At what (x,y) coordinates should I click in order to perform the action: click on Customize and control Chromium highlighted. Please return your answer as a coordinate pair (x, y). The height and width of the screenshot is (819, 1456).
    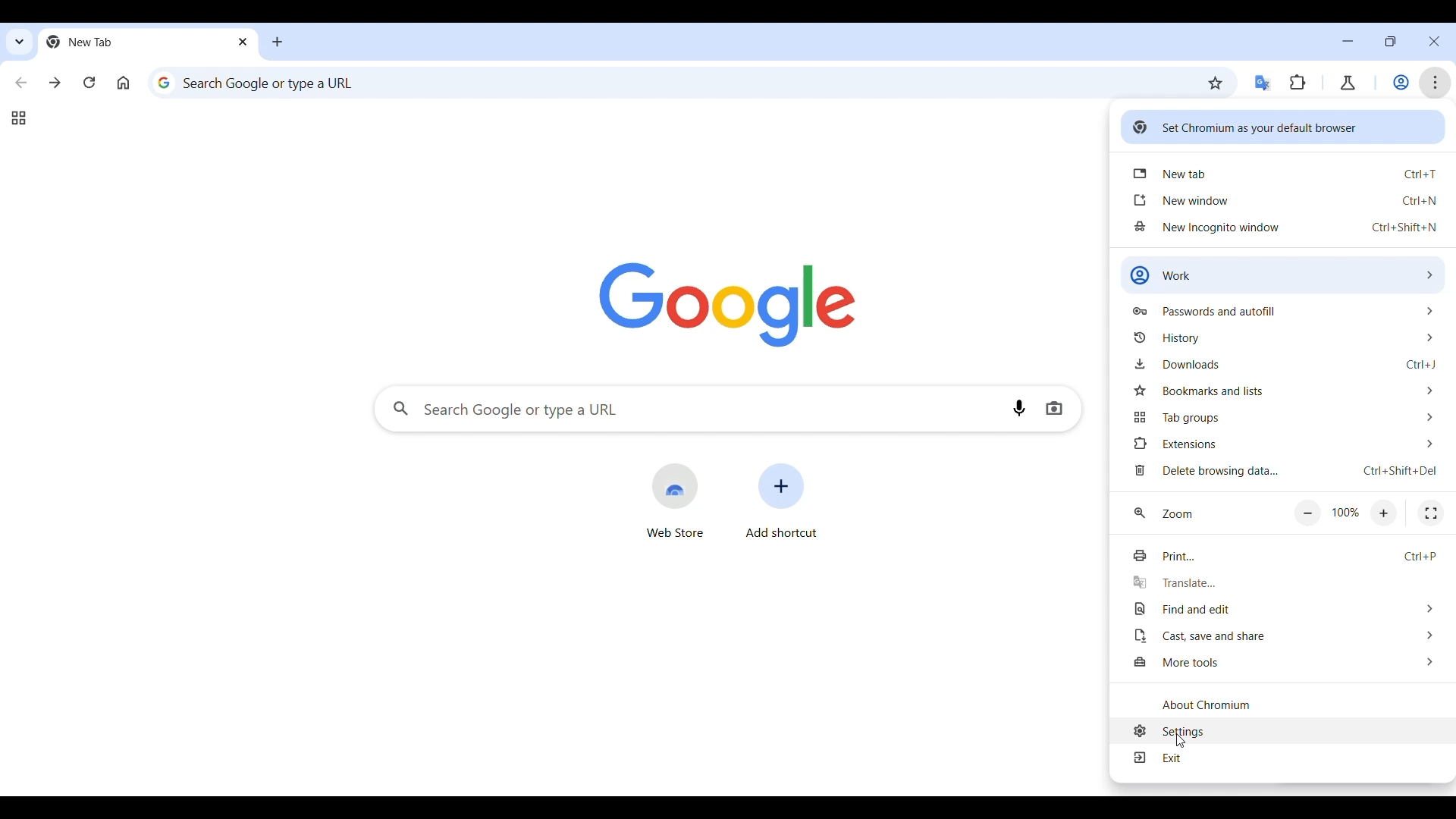
    Looking at the image, I should click on (1436, 83).